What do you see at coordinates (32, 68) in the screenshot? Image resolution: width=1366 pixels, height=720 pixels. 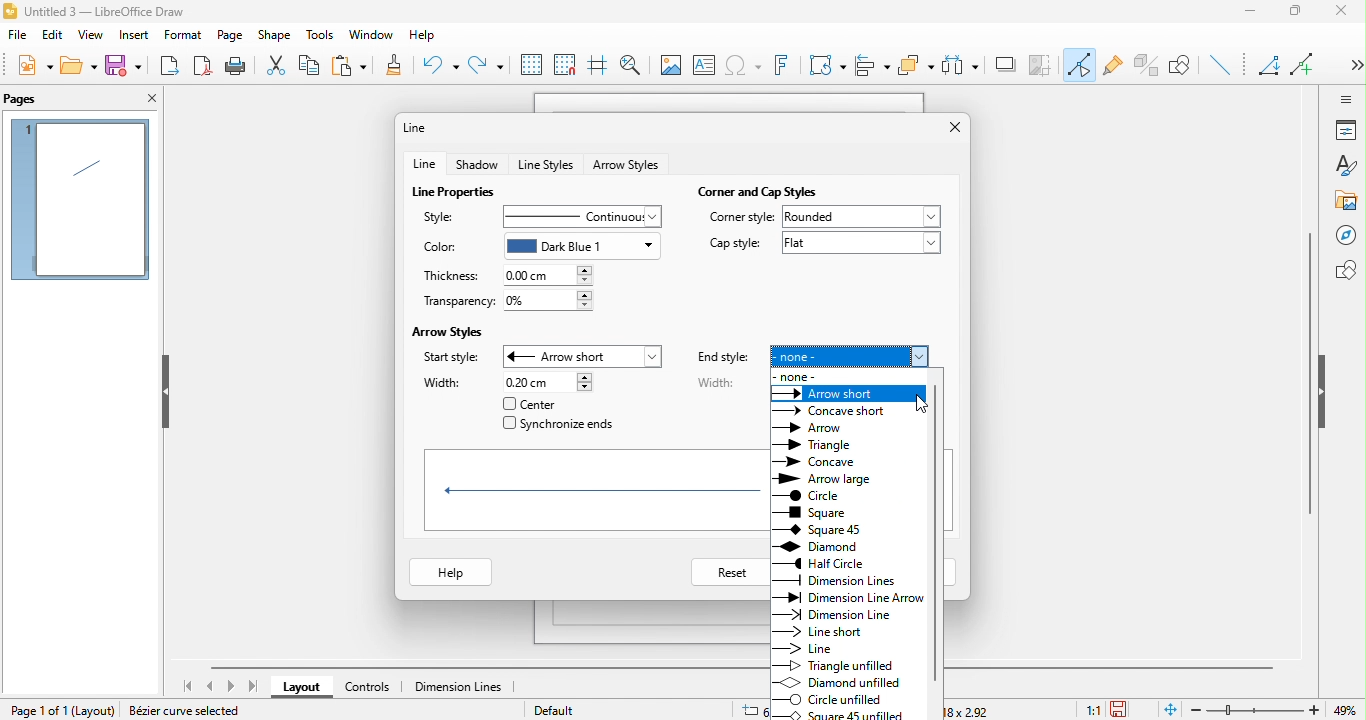 I see `new` at bounding box center [32, 68].